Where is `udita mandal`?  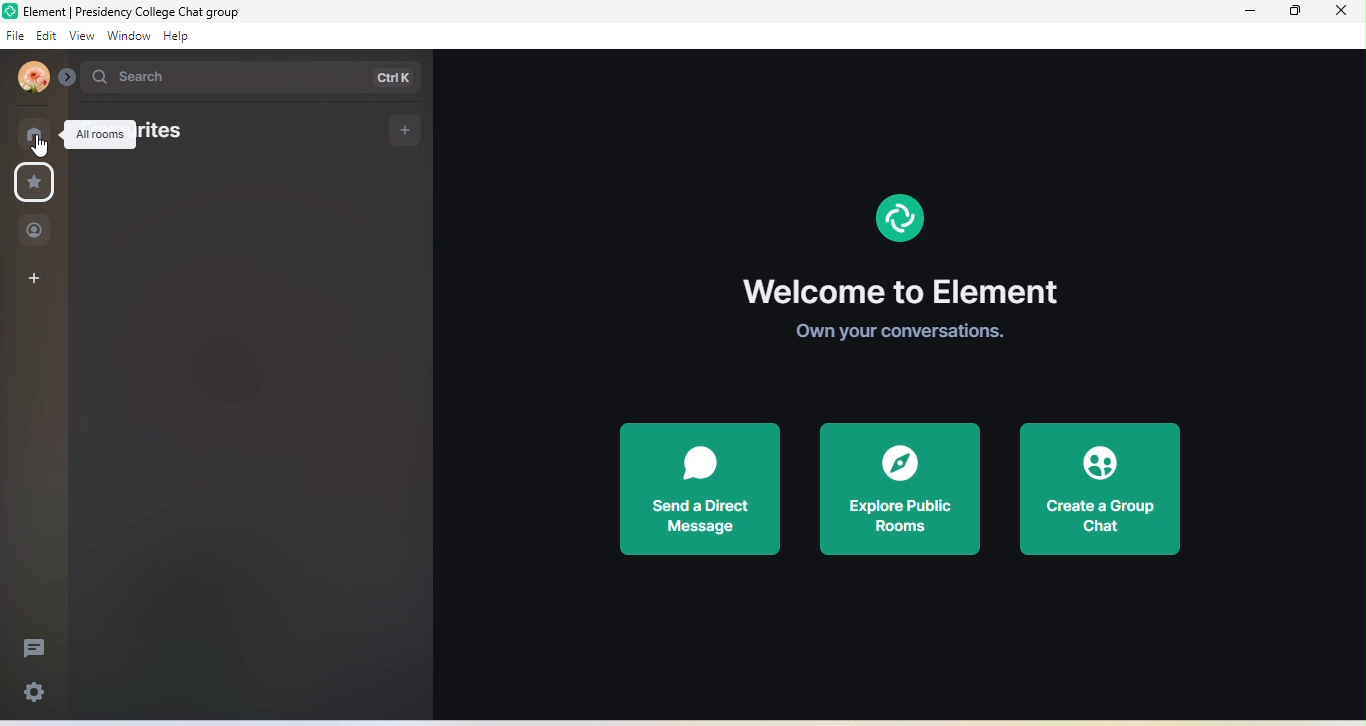
udita mandal is located at coordinates (33, 76).